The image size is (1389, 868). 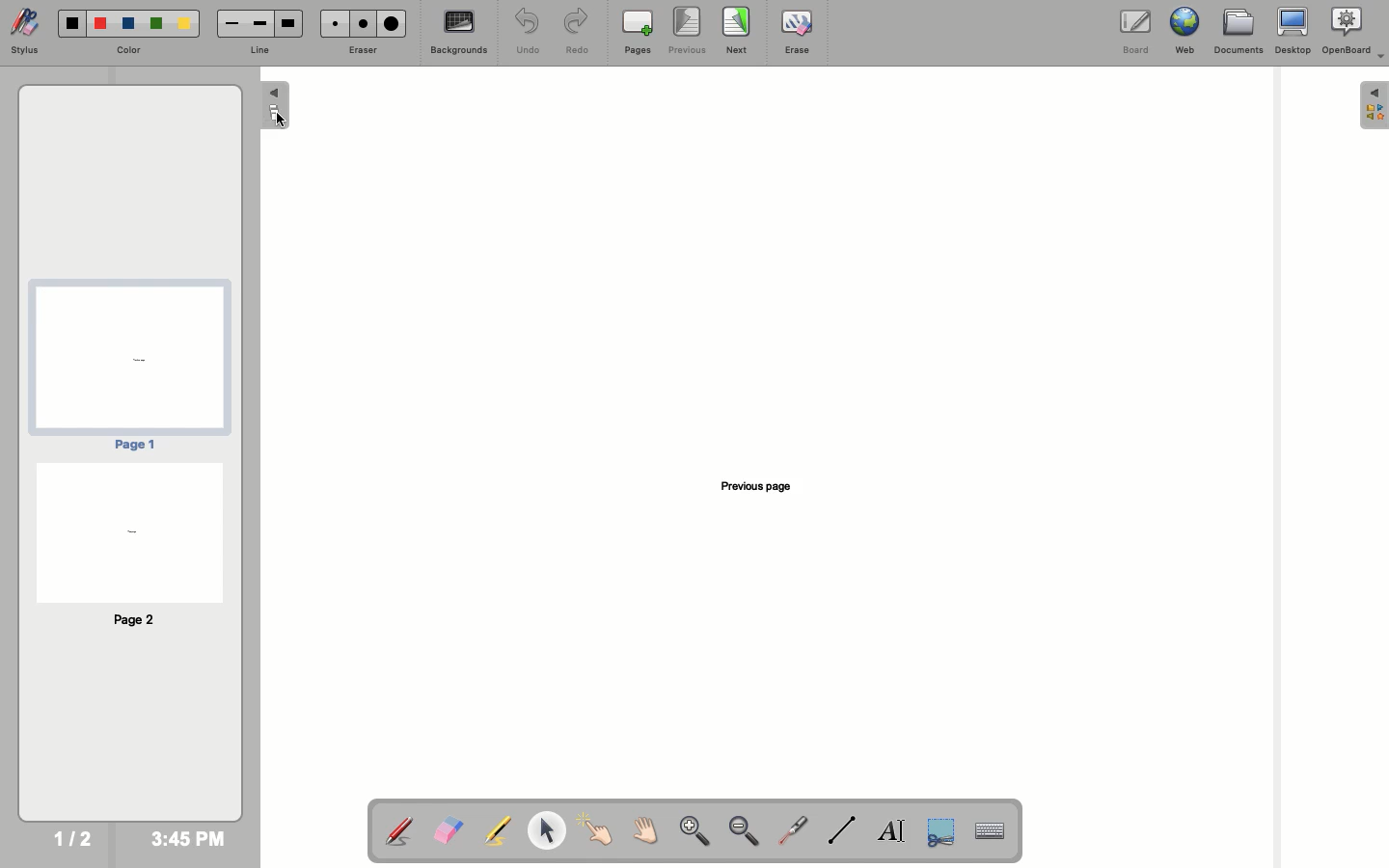 I want to click on Backgrounds, so click(x=460, y=32).